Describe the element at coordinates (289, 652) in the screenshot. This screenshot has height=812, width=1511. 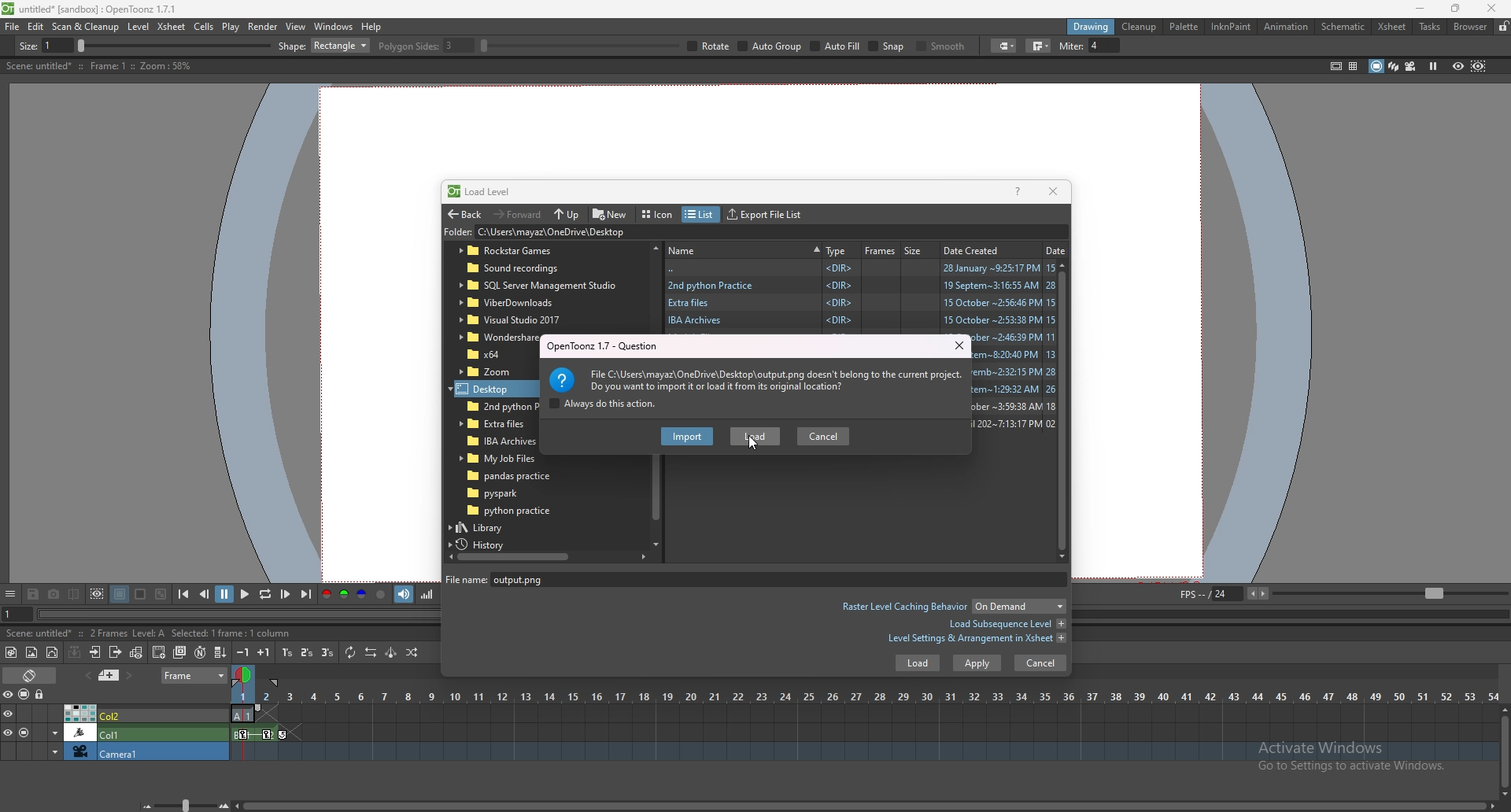
I see `reframe on 1s` at that location.